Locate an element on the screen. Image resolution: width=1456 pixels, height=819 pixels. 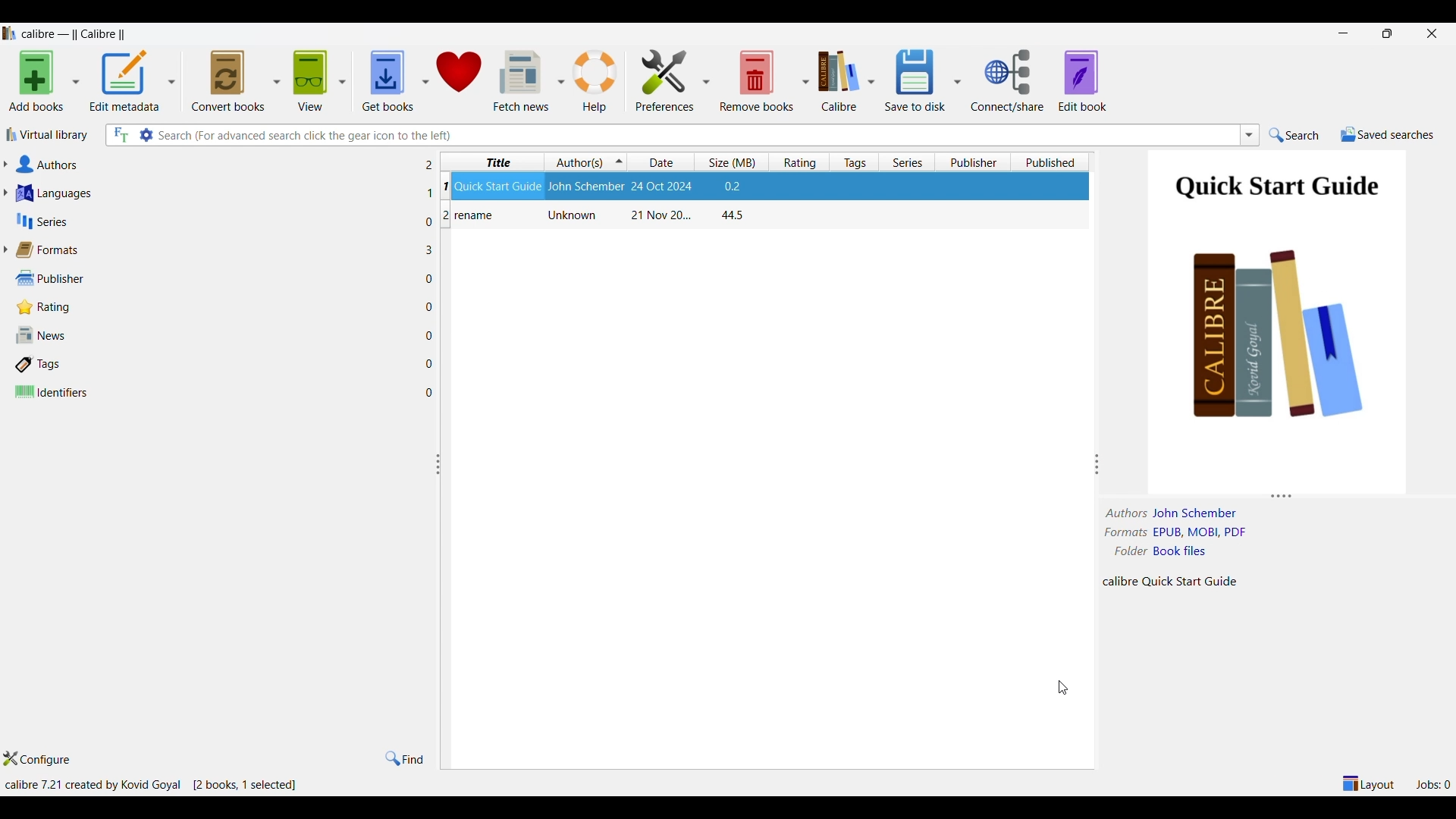
Show/Hide parts of the main layout is located at coordinates (1370, 783).